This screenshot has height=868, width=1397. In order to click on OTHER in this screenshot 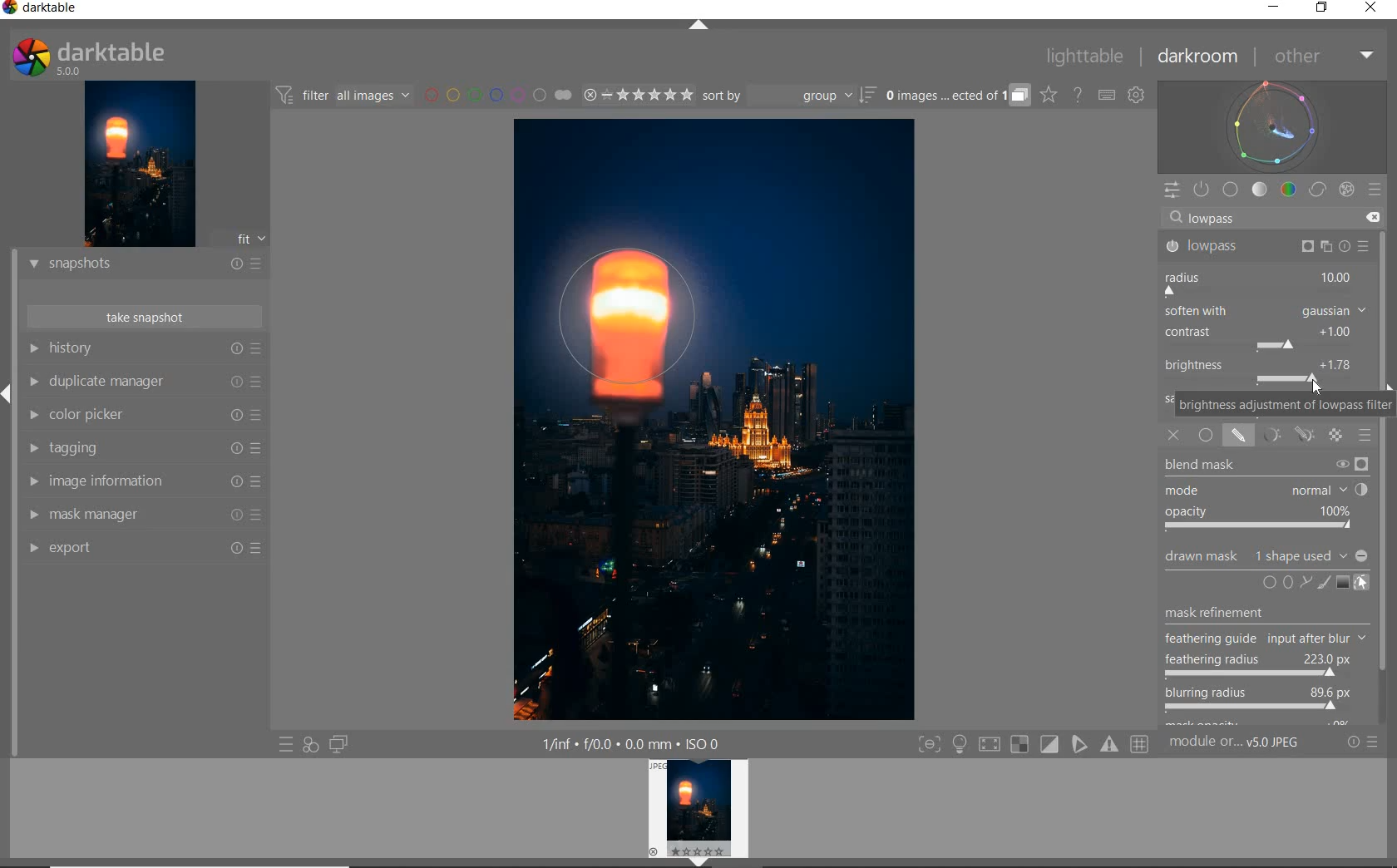, I will do `click(1323, 57)`.